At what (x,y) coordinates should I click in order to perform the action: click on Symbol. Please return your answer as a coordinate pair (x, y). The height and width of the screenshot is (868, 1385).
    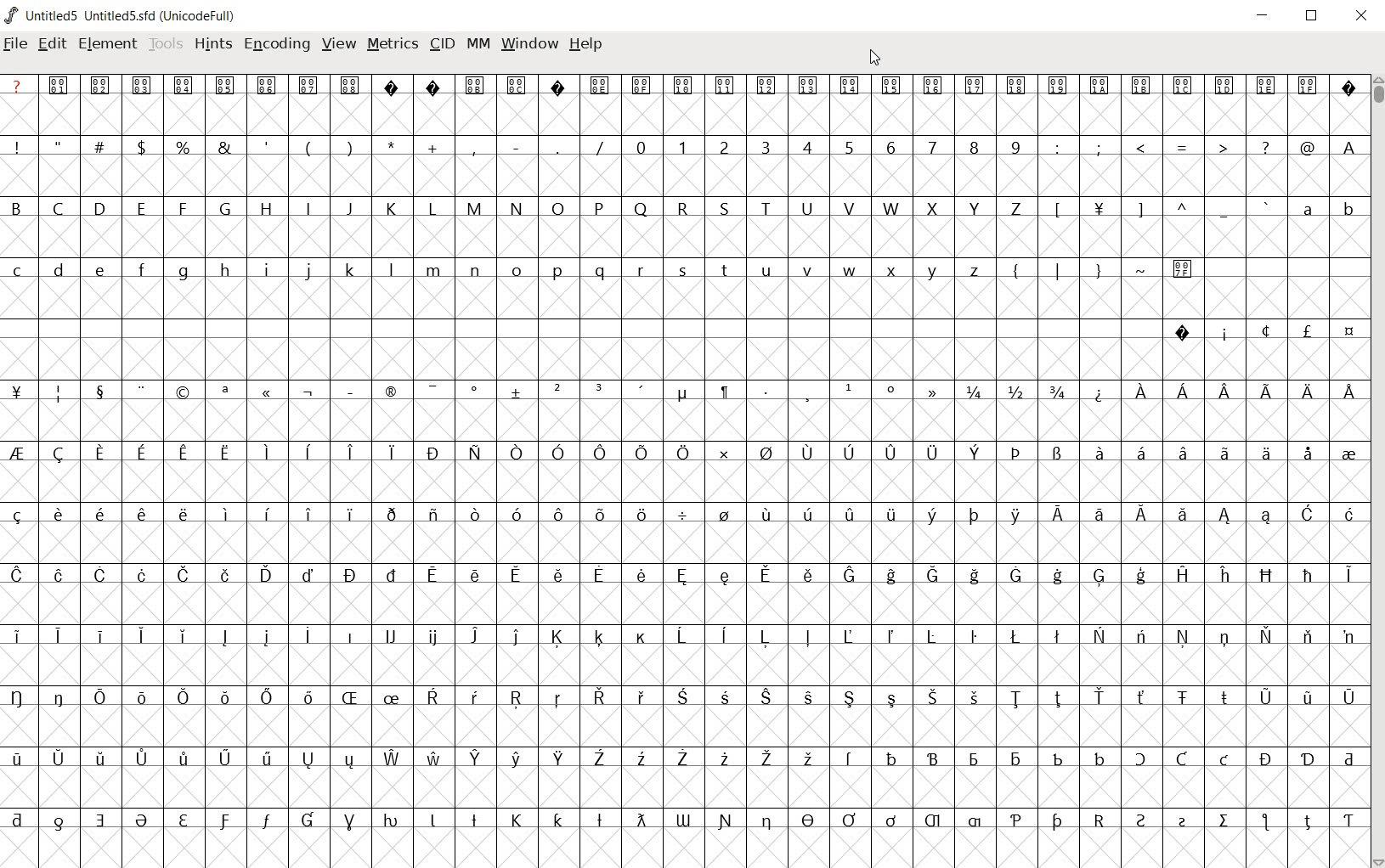
    Looking at the image, I should click on (1347, 332).